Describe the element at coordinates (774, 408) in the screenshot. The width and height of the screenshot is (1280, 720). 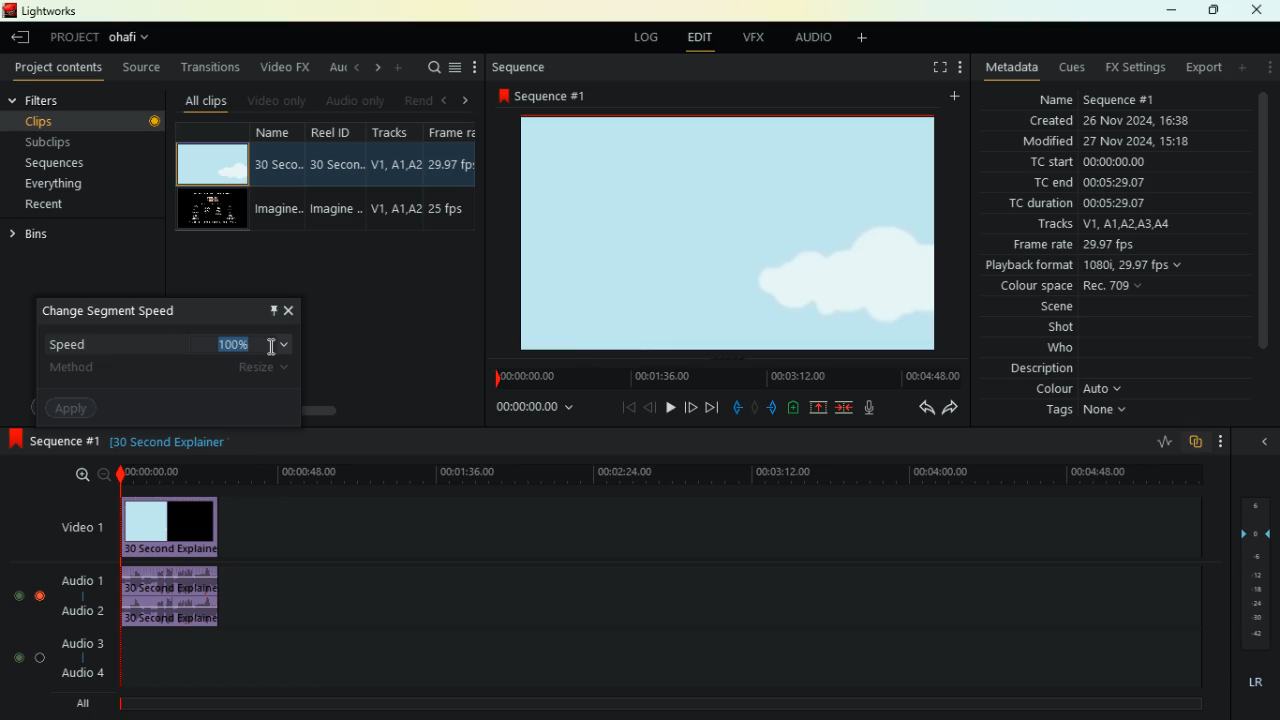
I see `push` at that location.